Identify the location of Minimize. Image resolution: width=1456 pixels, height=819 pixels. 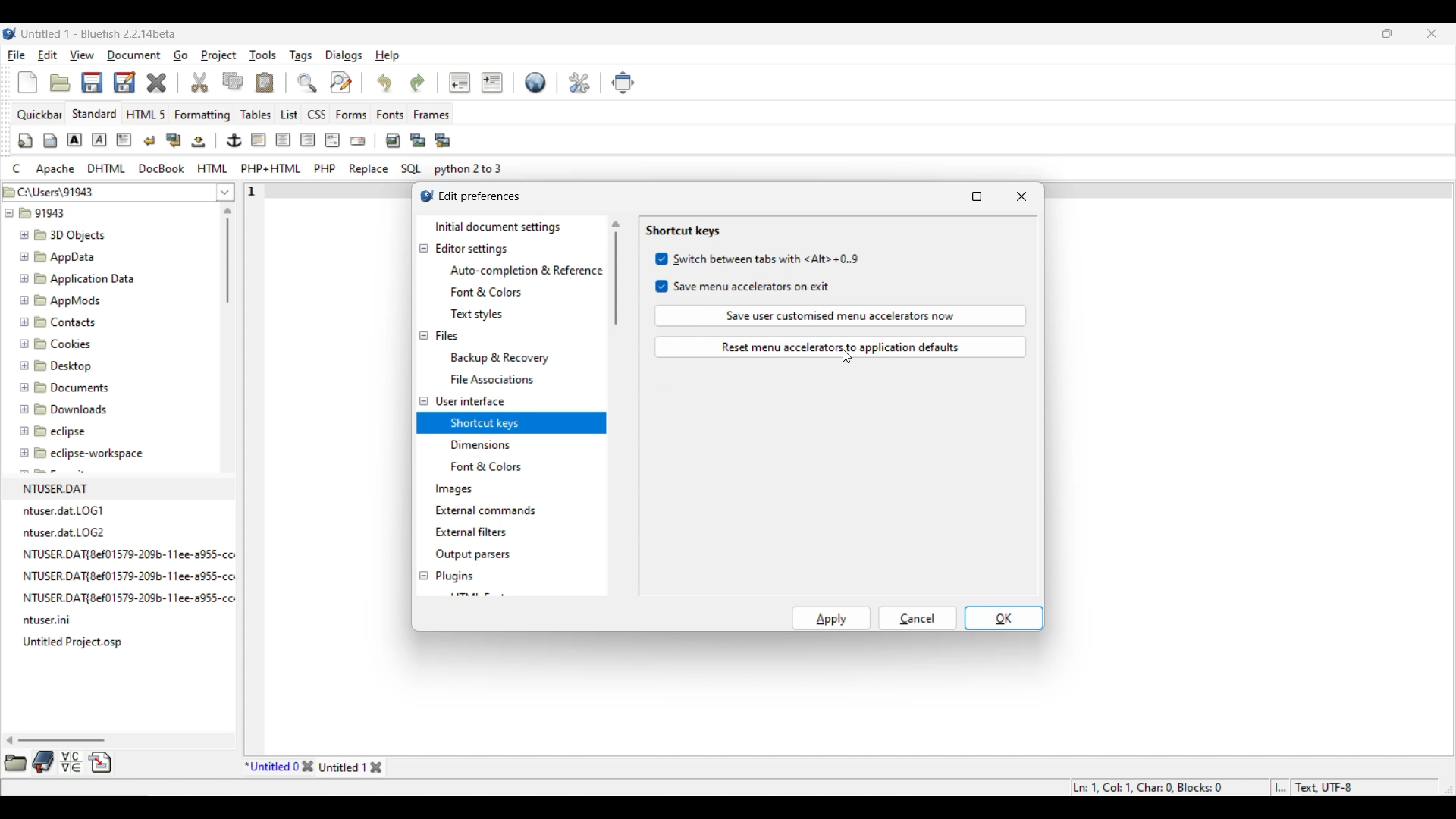
(1344, 33).